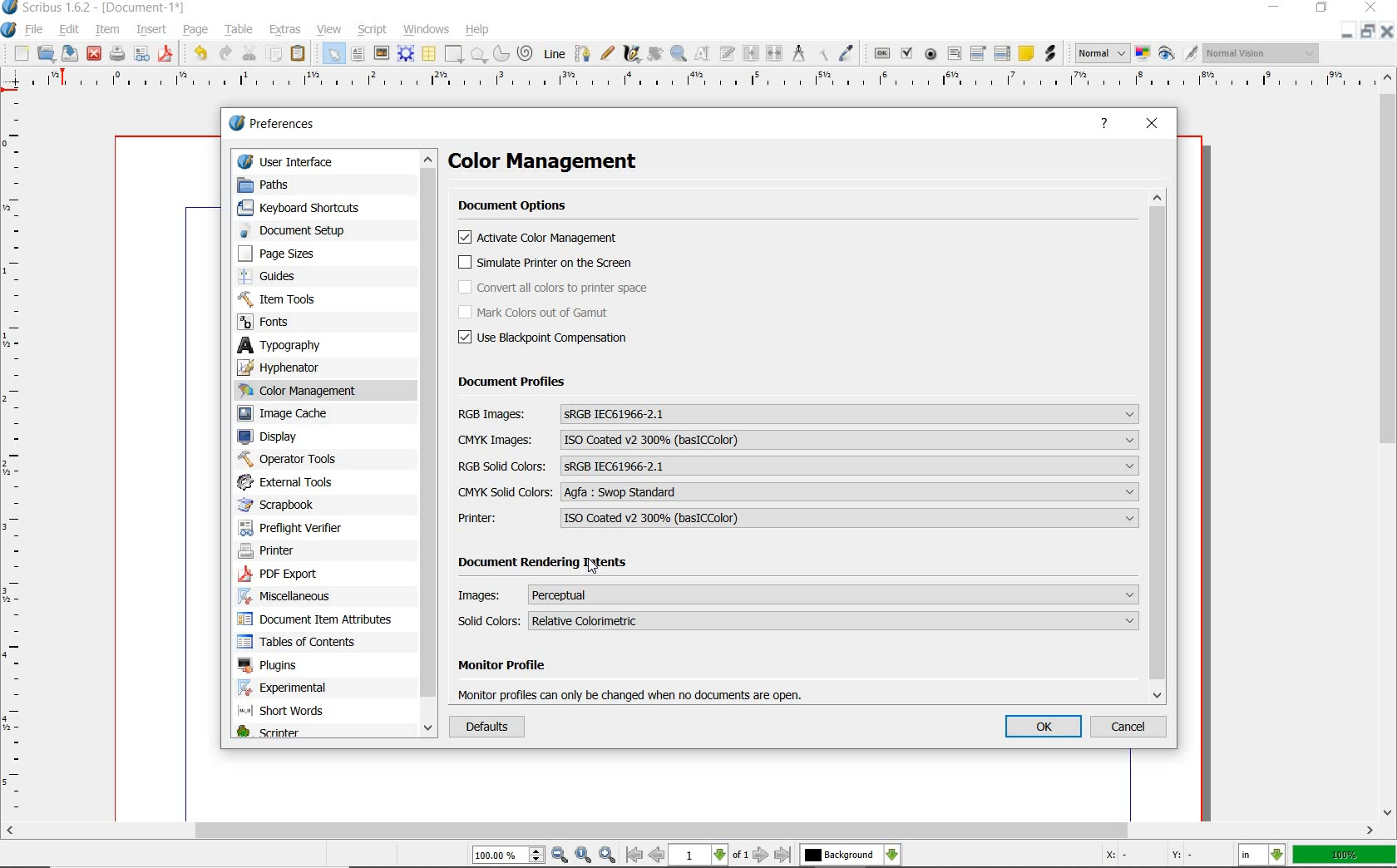 This screenshot has width=1397, height=868. Describe the element at coordinates (333, 55) in the screenshot. I see `select` at that location.